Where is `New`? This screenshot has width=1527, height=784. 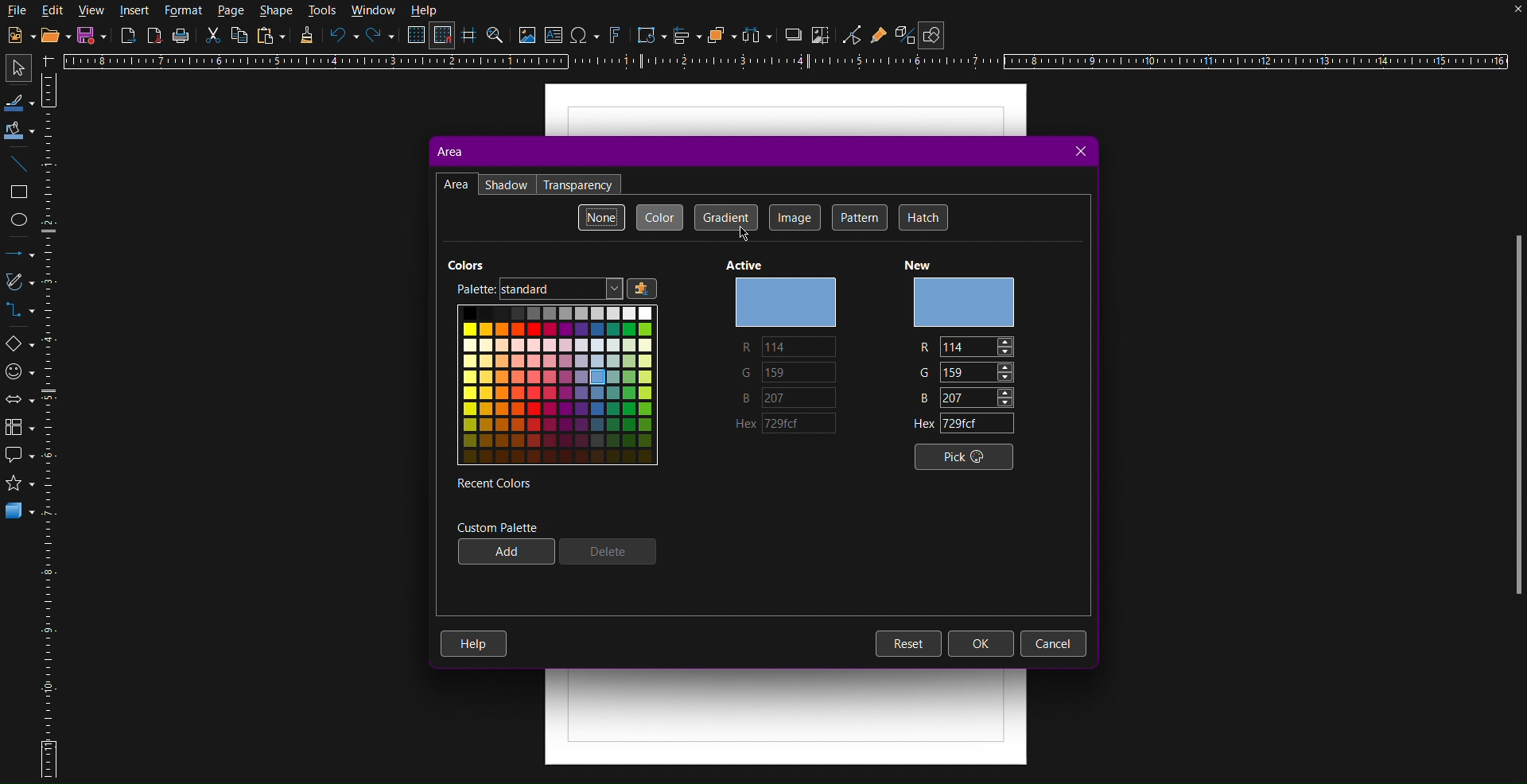 New is located at coordinates (17, 35).